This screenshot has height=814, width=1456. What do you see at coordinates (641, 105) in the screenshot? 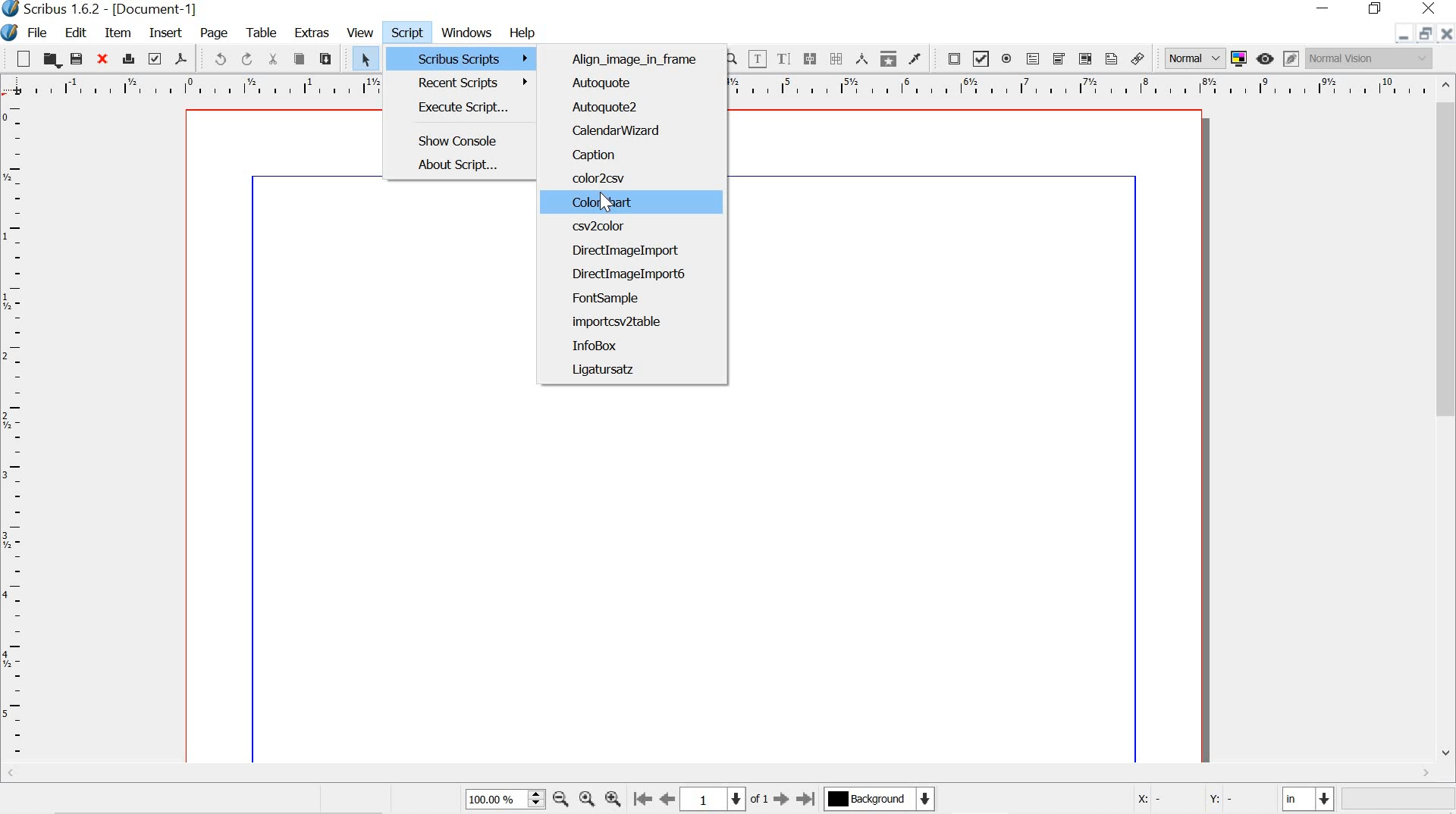
I see `autoquote2` at bounding box center [641, 105].